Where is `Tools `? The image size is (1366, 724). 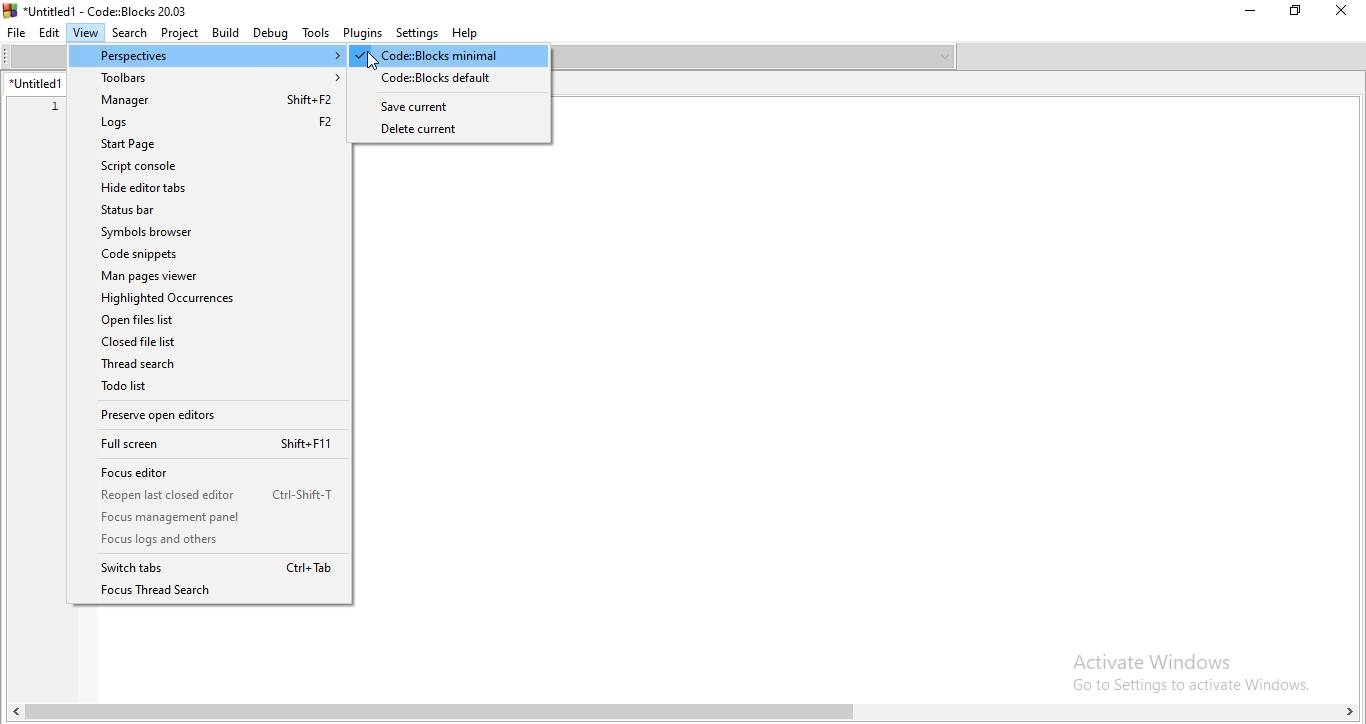 Tools  is located at coordinates (316, 30).